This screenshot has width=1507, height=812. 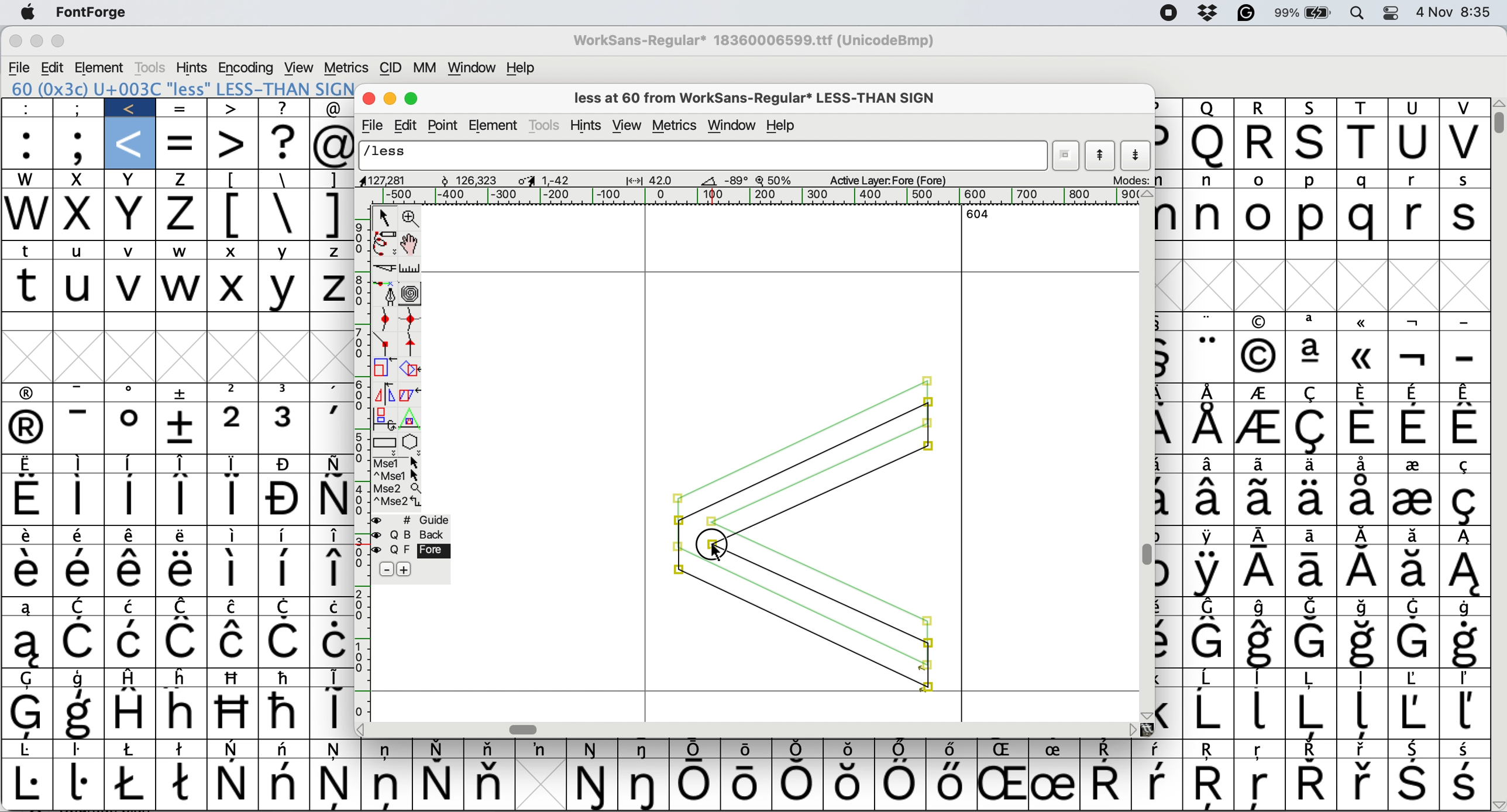 I want to click on Symbol, so click(x=1466, y=536).